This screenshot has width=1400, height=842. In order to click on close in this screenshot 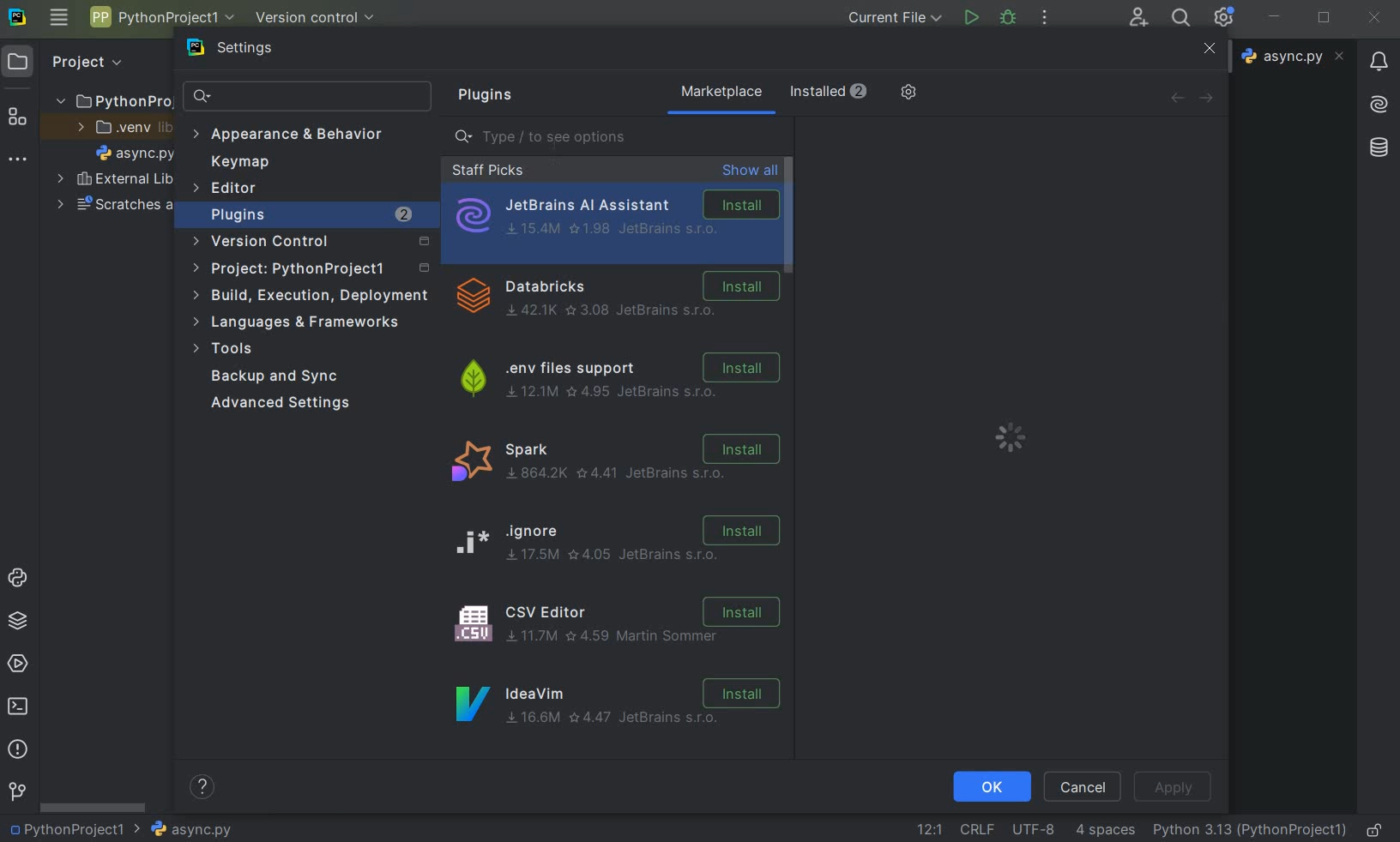, I will do `click(1209, 49)`.